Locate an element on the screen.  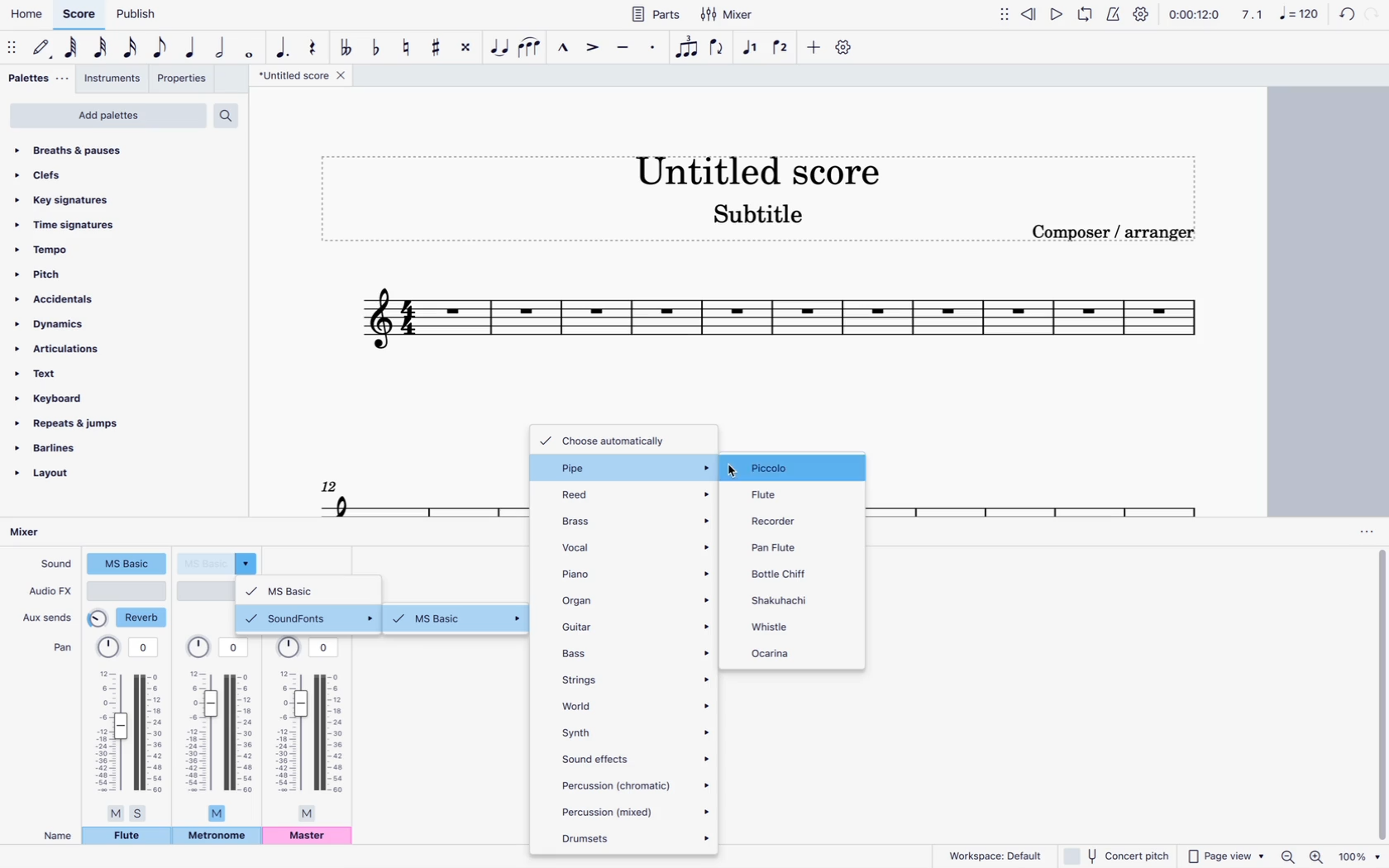
score is located at coordinates (80, 15).